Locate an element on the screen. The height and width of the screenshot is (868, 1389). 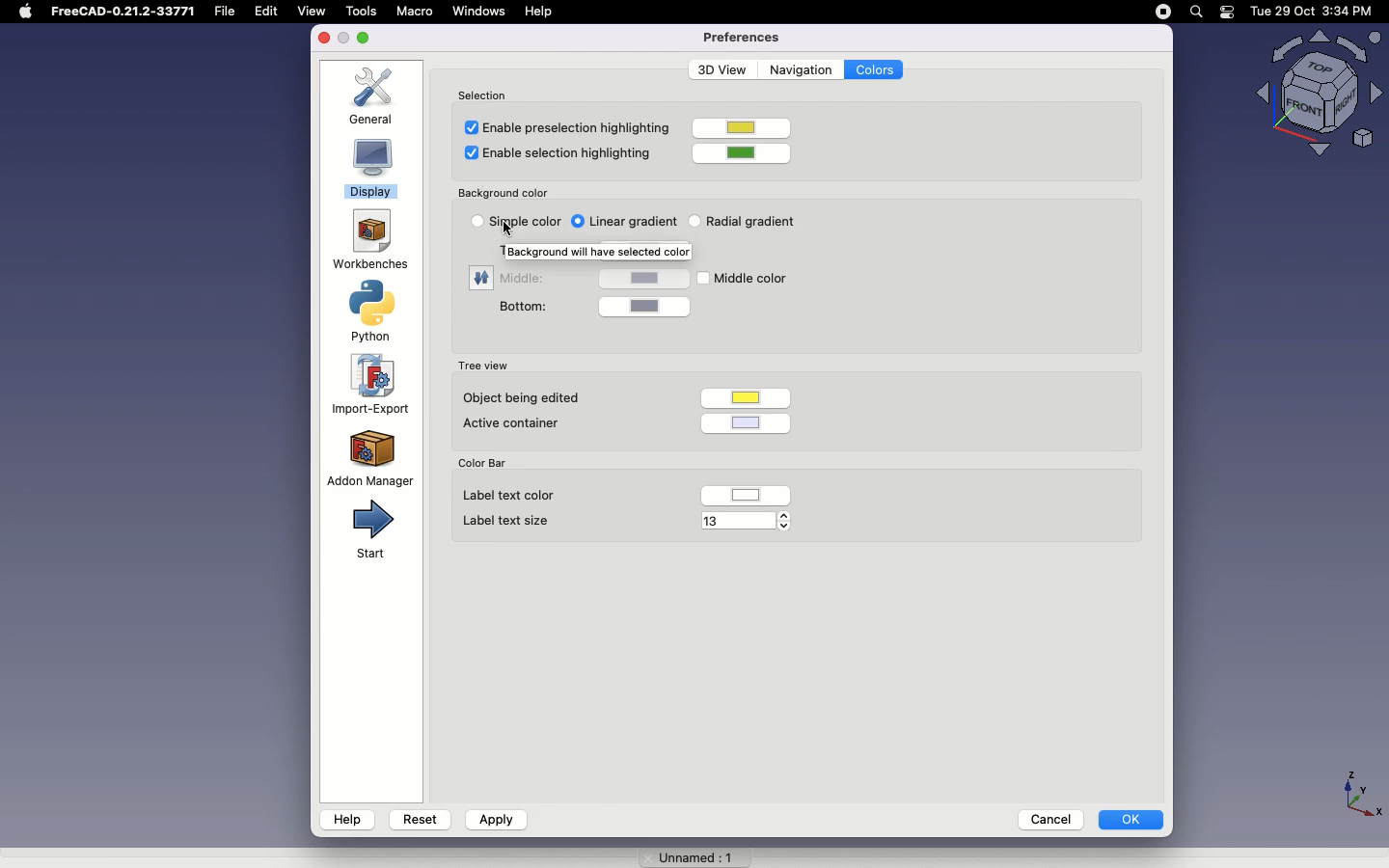
Cancel is located at coordinates (1045, 818).